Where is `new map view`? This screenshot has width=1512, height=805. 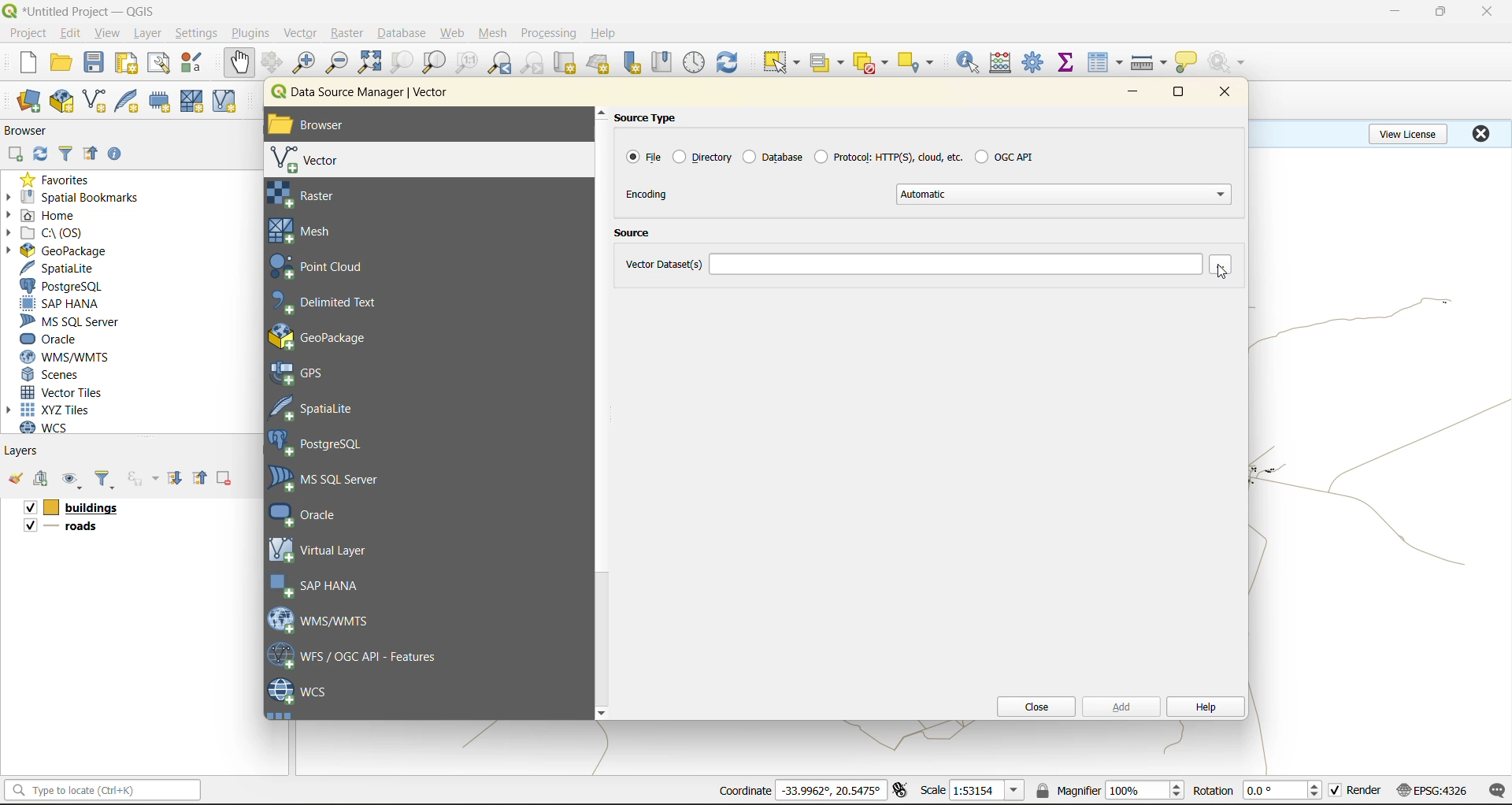
new map view is located at coordinates (567, 65).